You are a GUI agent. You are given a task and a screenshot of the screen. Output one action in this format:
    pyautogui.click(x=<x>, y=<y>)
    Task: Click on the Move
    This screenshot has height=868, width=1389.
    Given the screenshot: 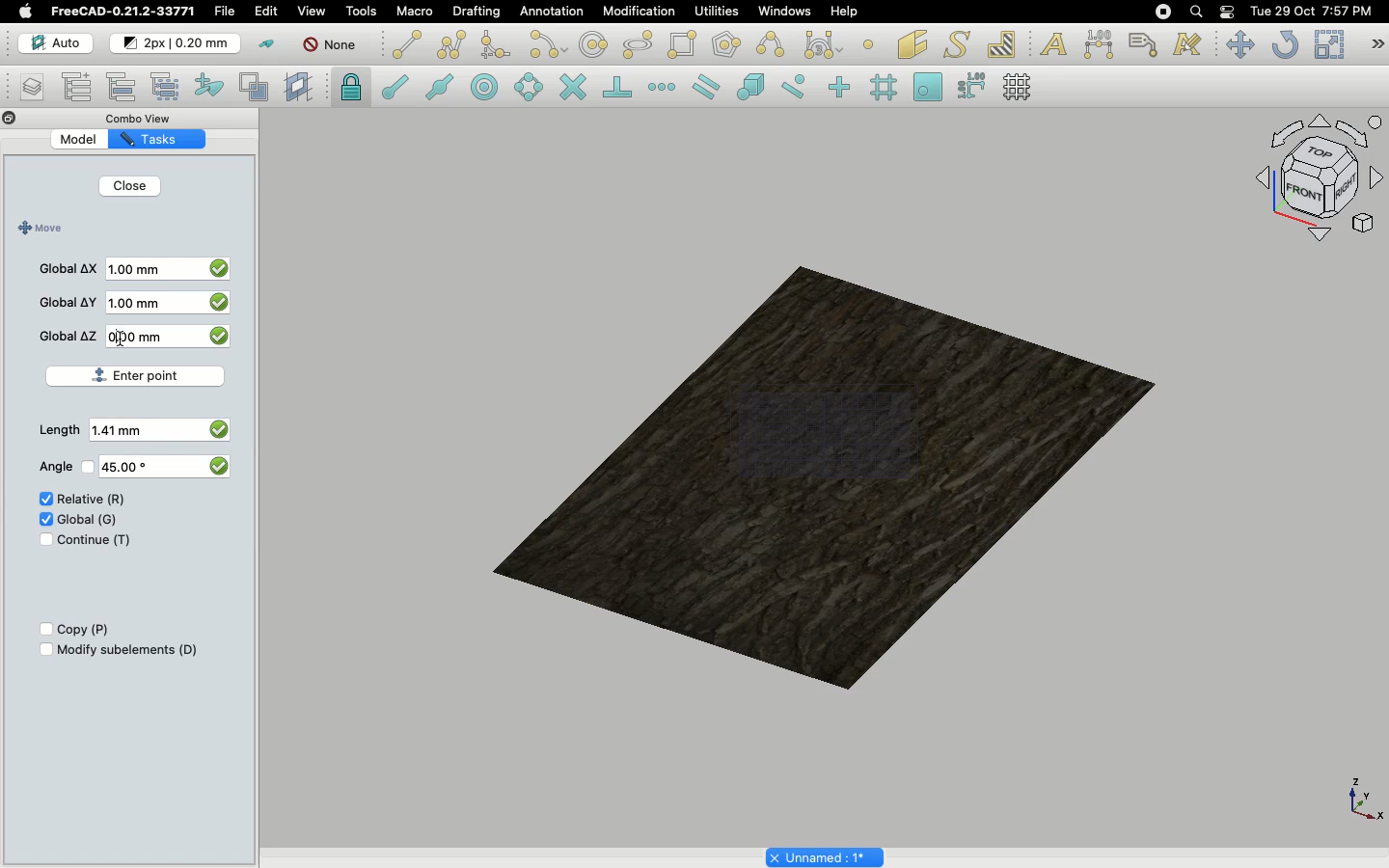 What is the action you would take?
    pyautogui.click(x=38, y=229)
    